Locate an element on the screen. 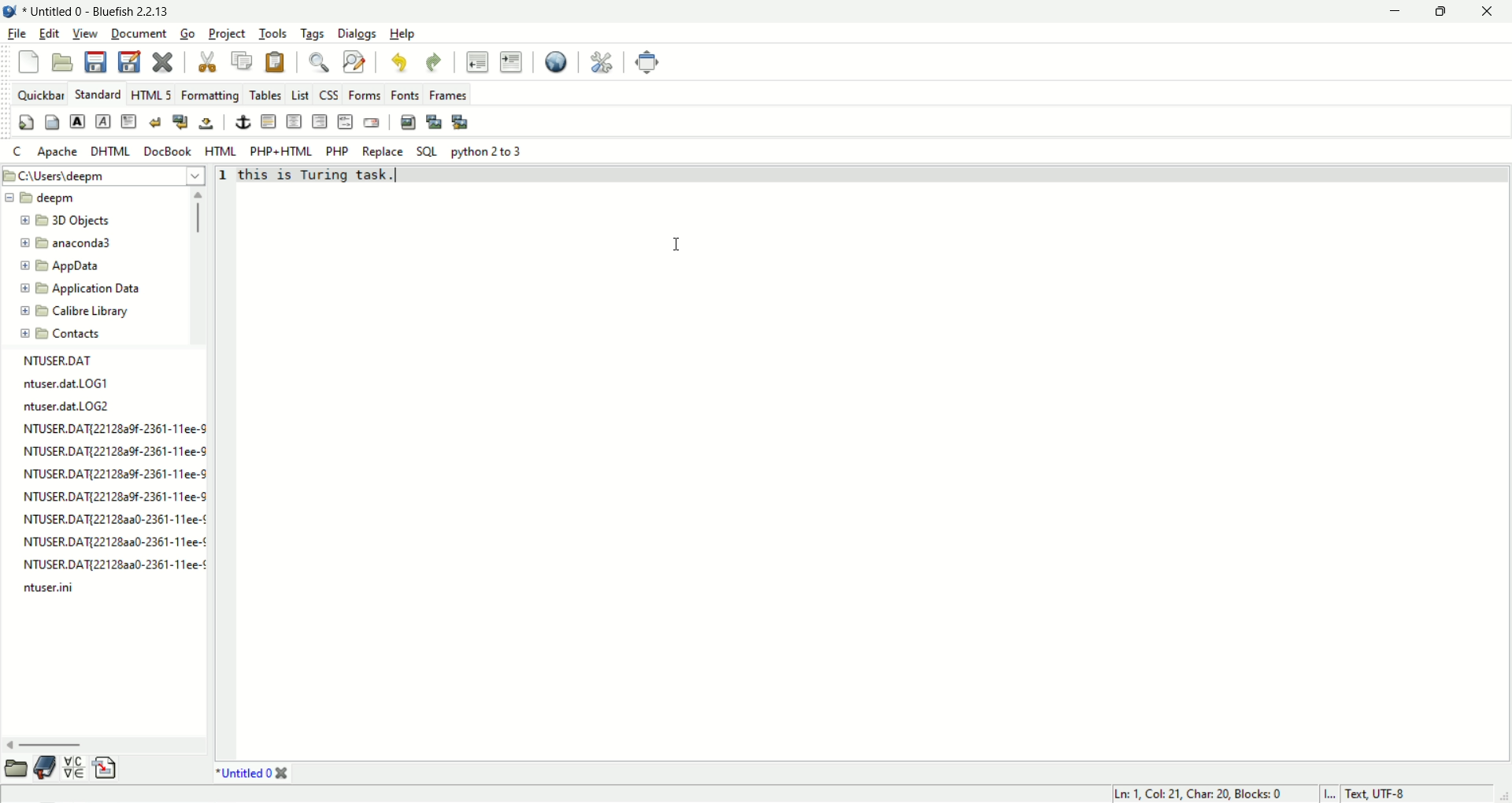 This screenshot has width=1512, height=803. New file is located at coordinates (28, 61).